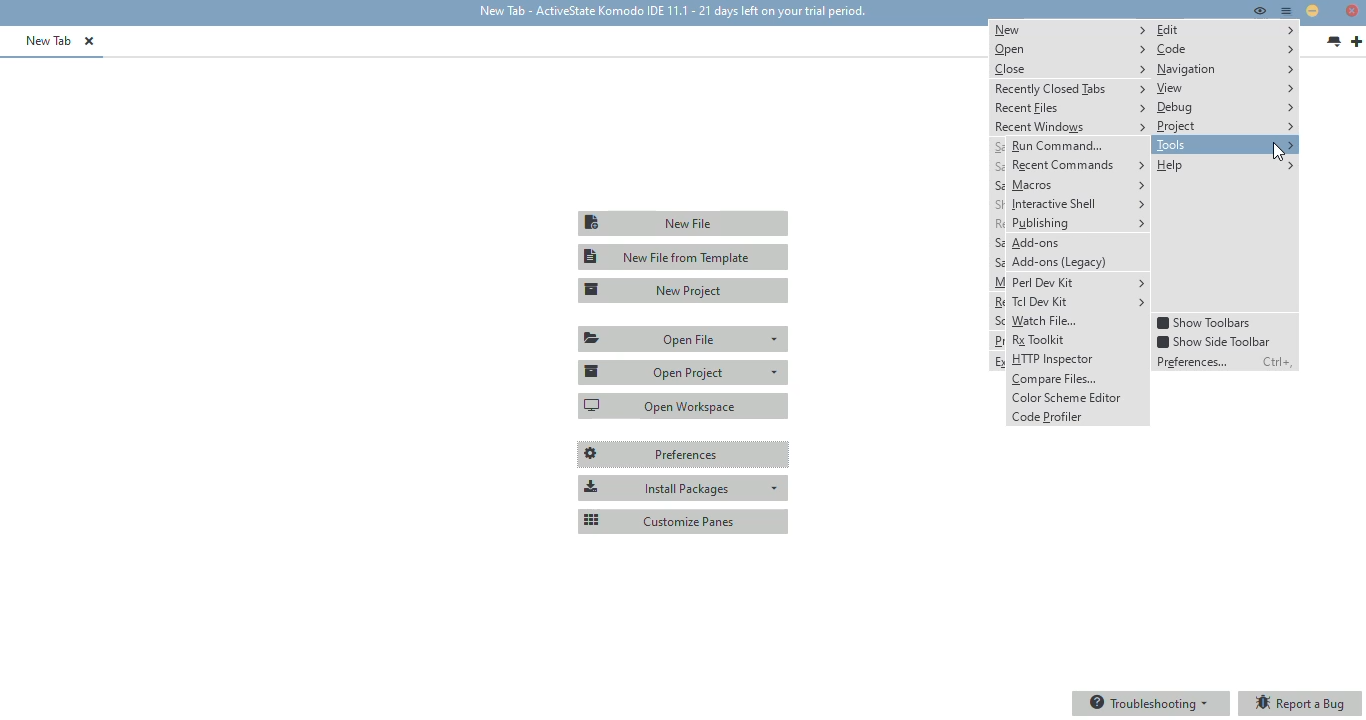  I want to click on Tcl Dev Kit, so click(1079, 302).